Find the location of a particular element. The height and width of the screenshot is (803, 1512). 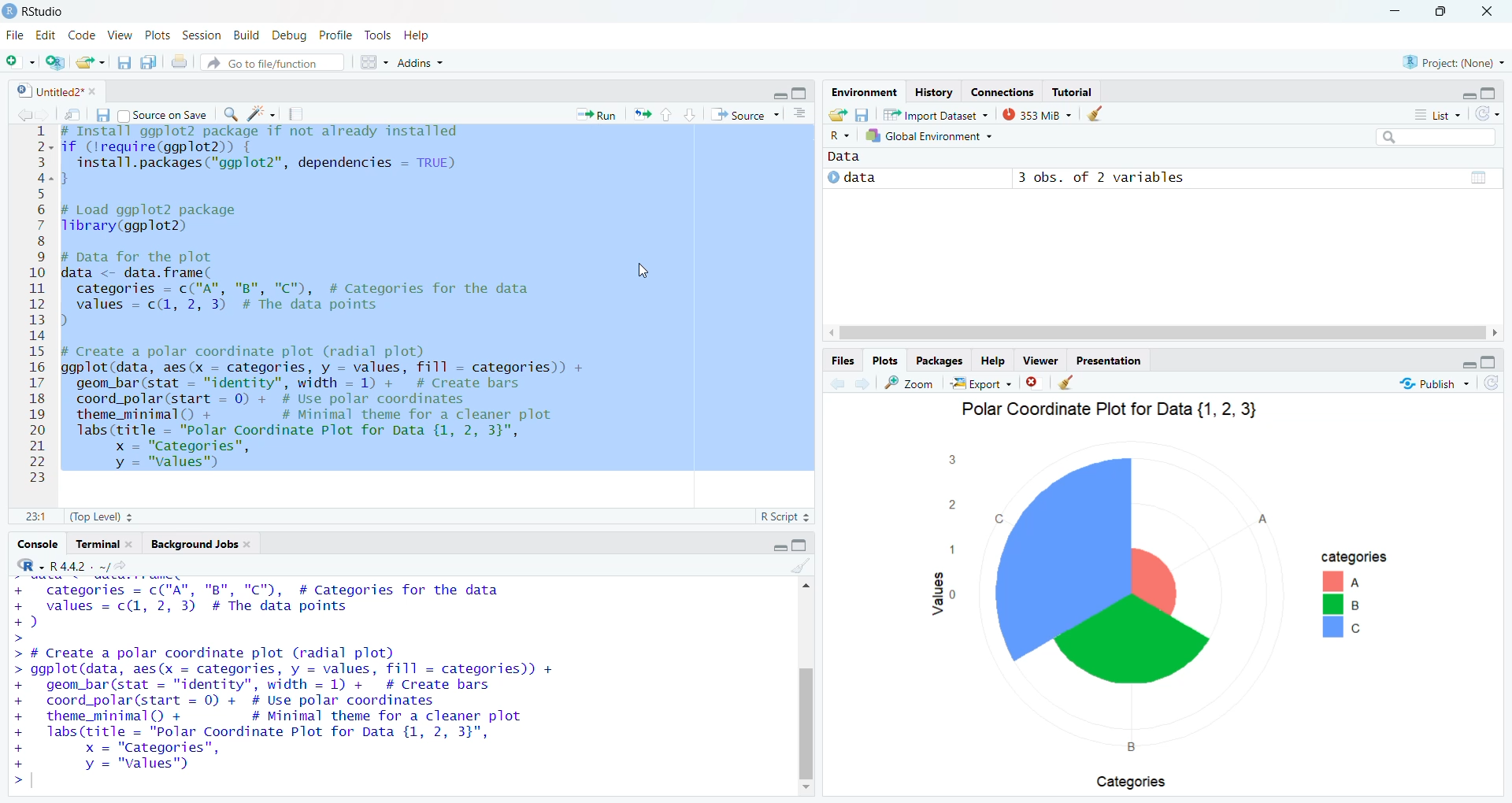

cursor is located at coordinates (639, 275).